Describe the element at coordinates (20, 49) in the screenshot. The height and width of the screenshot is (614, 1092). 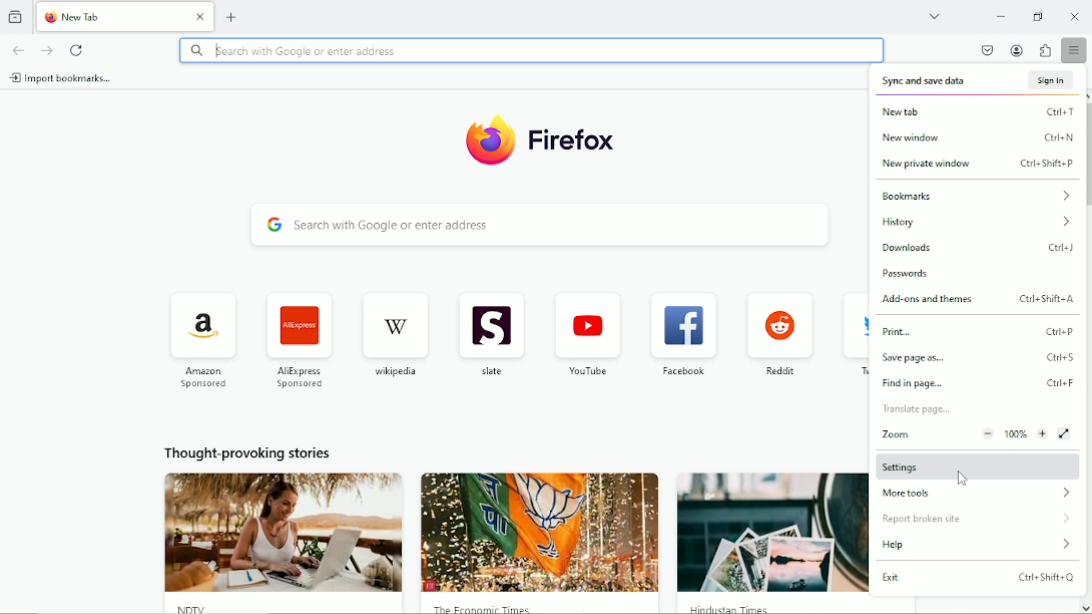
I see `go back` at that location.